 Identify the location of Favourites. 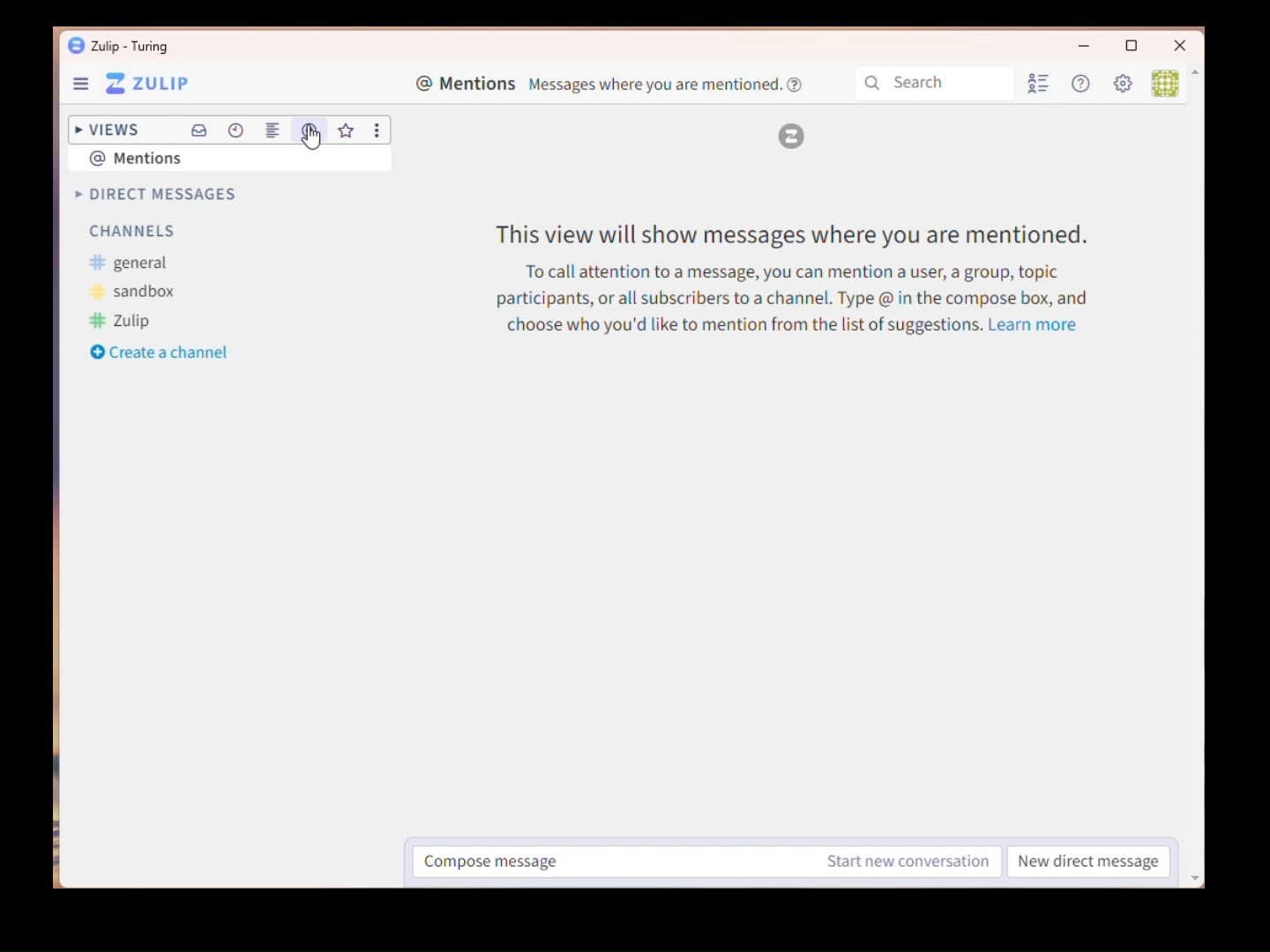
(347, 131).